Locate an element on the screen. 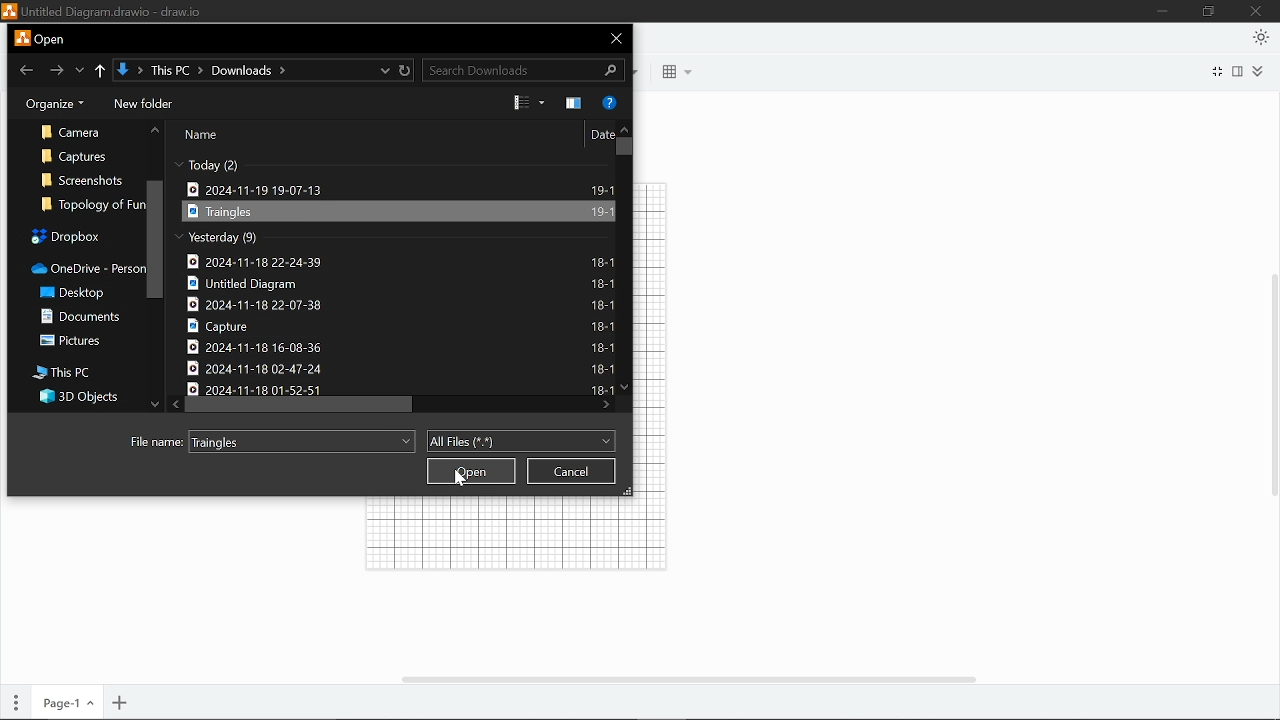  Move left in files is located at coordinates (173, 404).